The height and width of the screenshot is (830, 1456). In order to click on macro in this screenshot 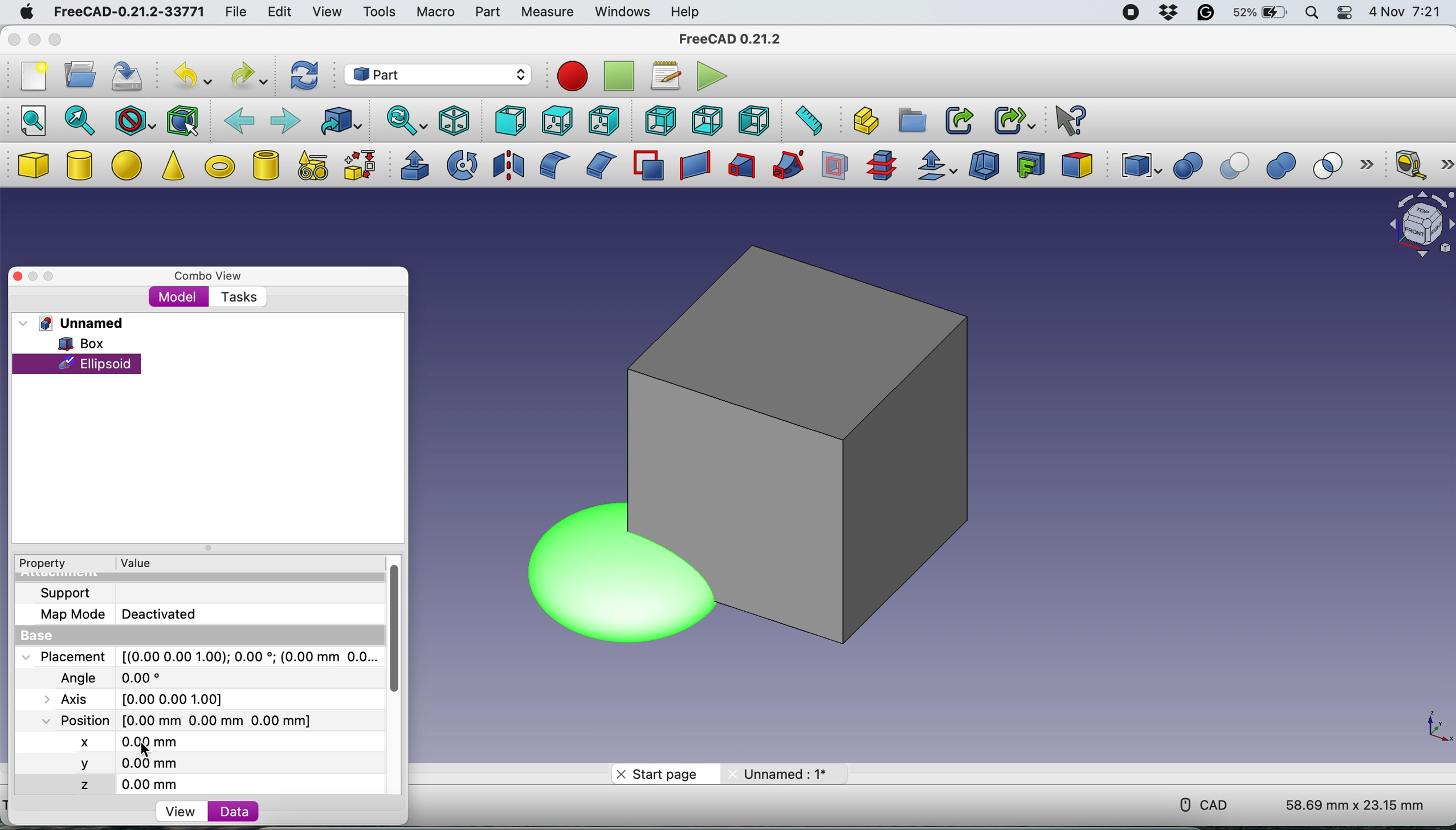, I will do `click(435, 13)`.